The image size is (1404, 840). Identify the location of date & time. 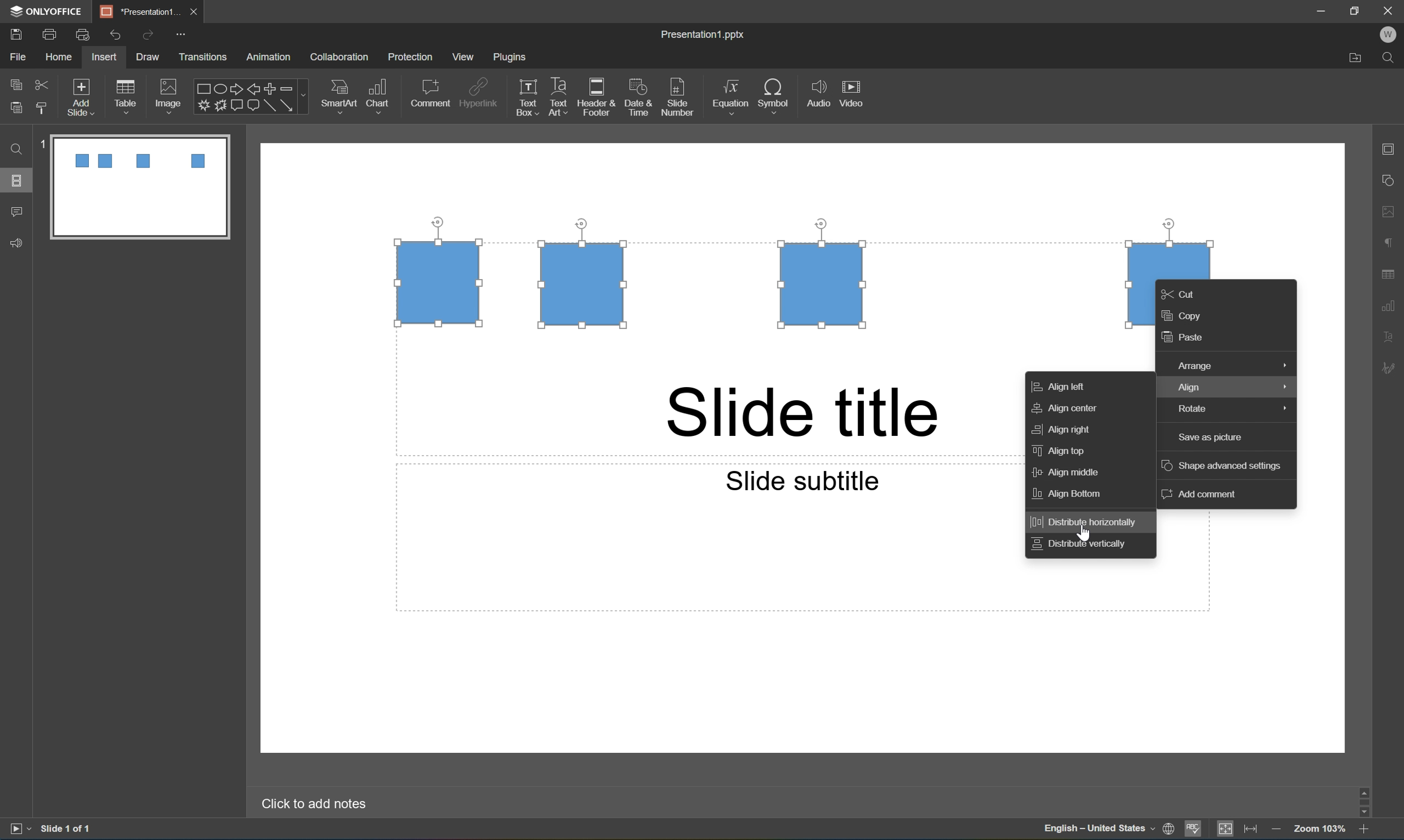
(641, 99).